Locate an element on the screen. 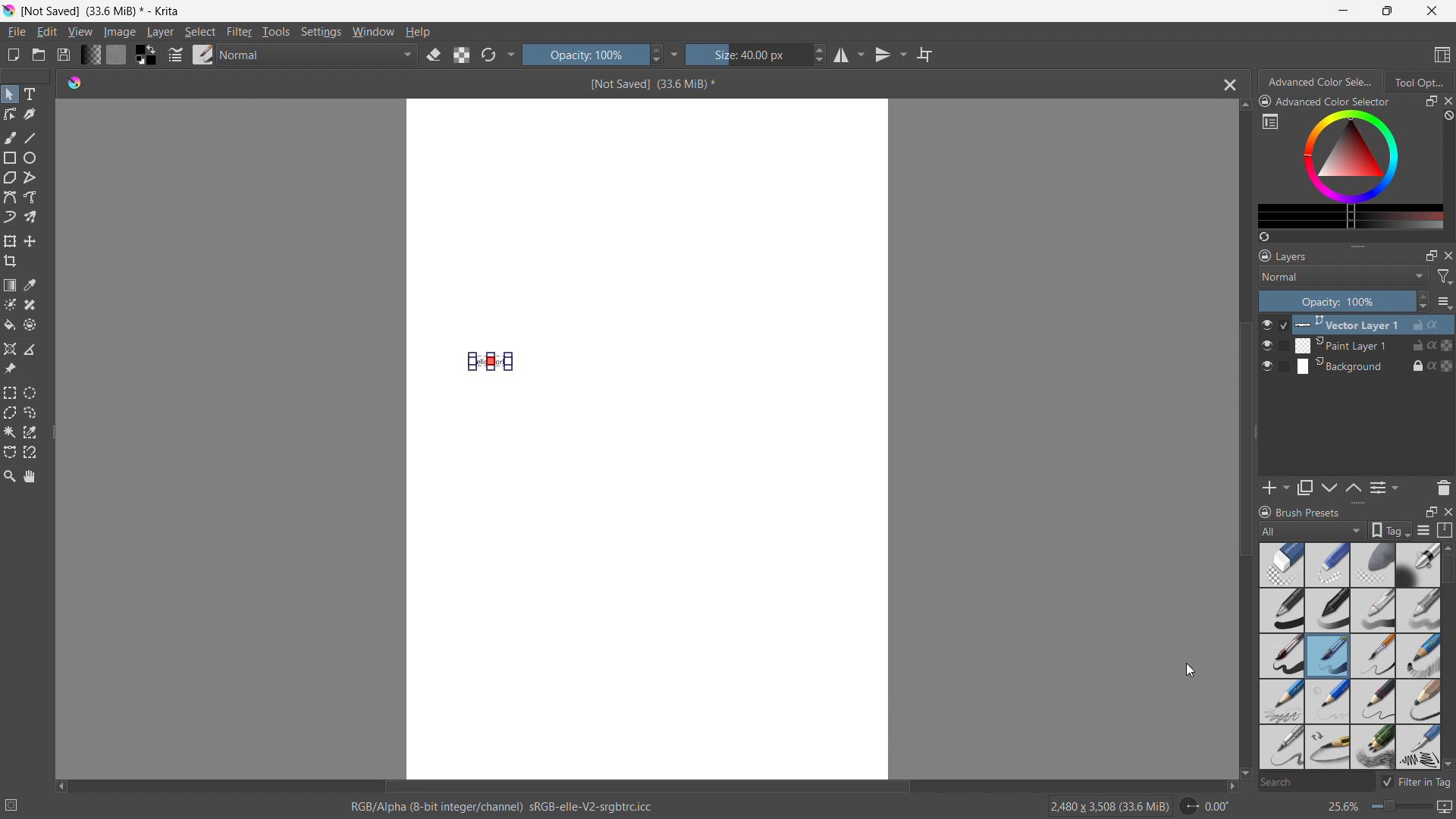 The height and width of the screenshot is (819, 1456). add layer is located at coordinates (1276, 488).